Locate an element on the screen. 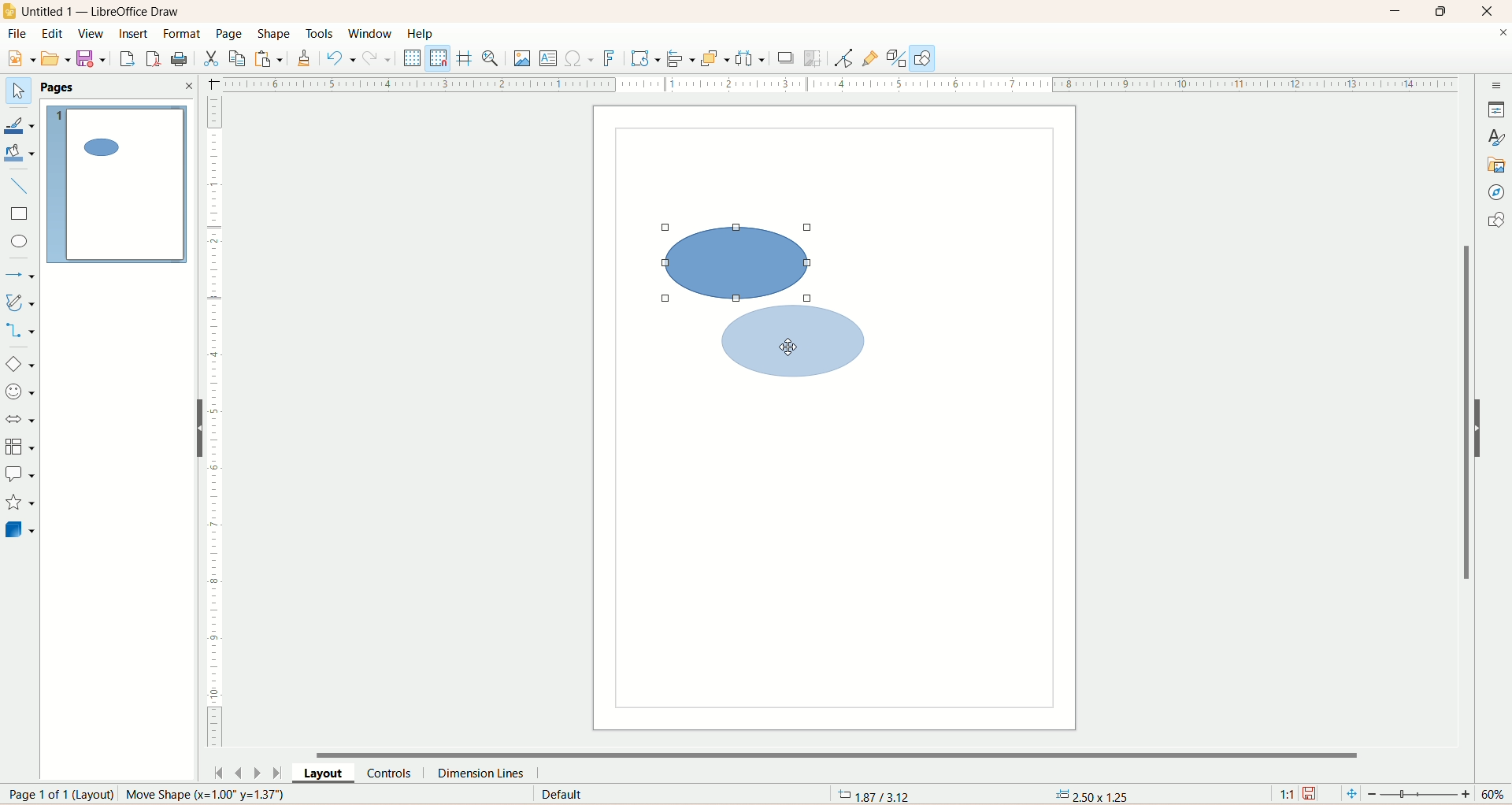  coordinates is located at coordinates (876, 796).